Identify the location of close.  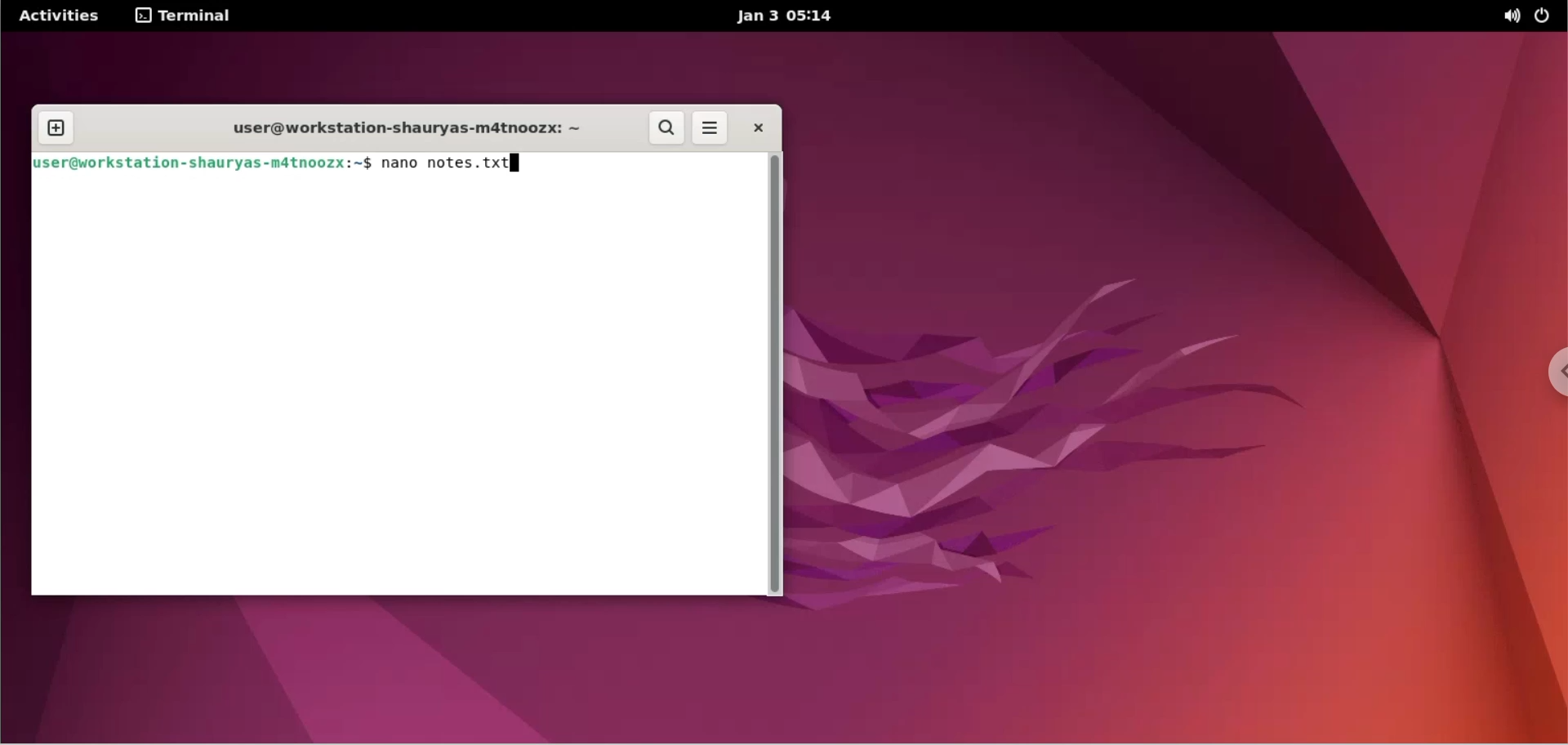
(760, 128).